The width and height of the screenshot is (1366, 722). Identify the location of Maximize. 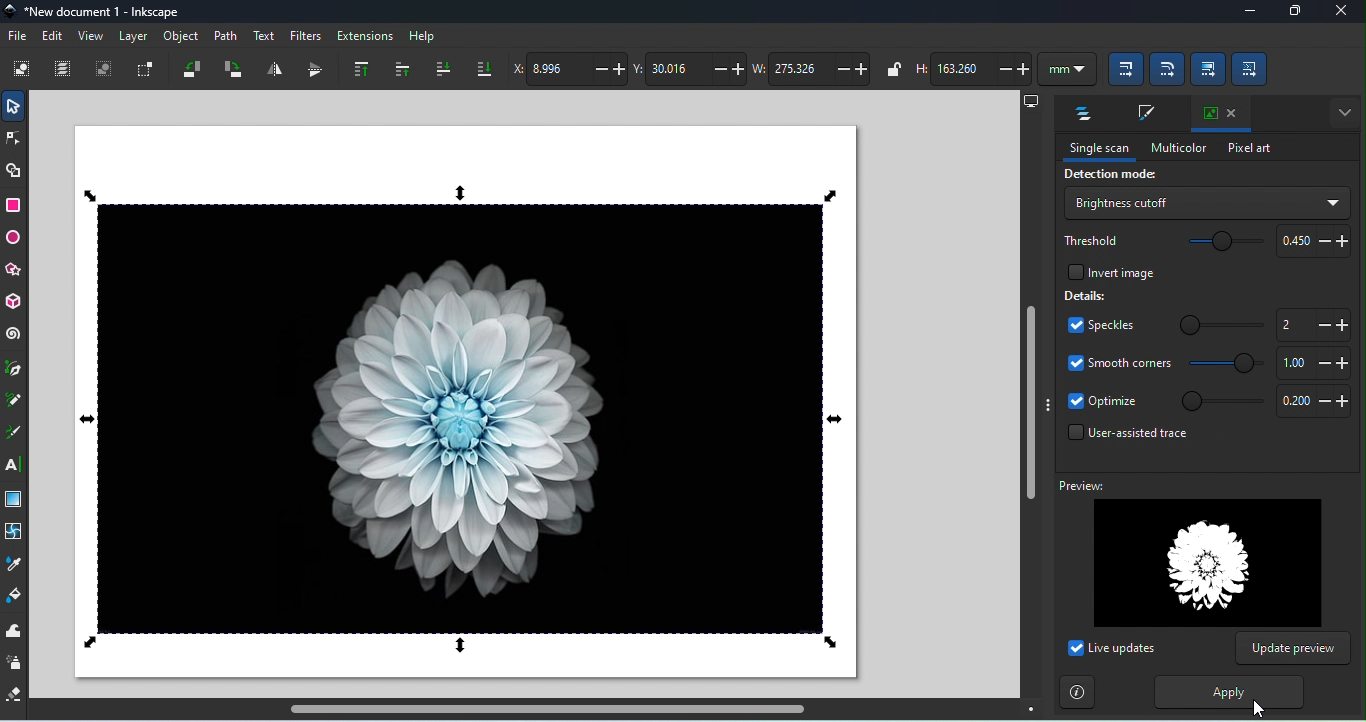
(1291, 13).